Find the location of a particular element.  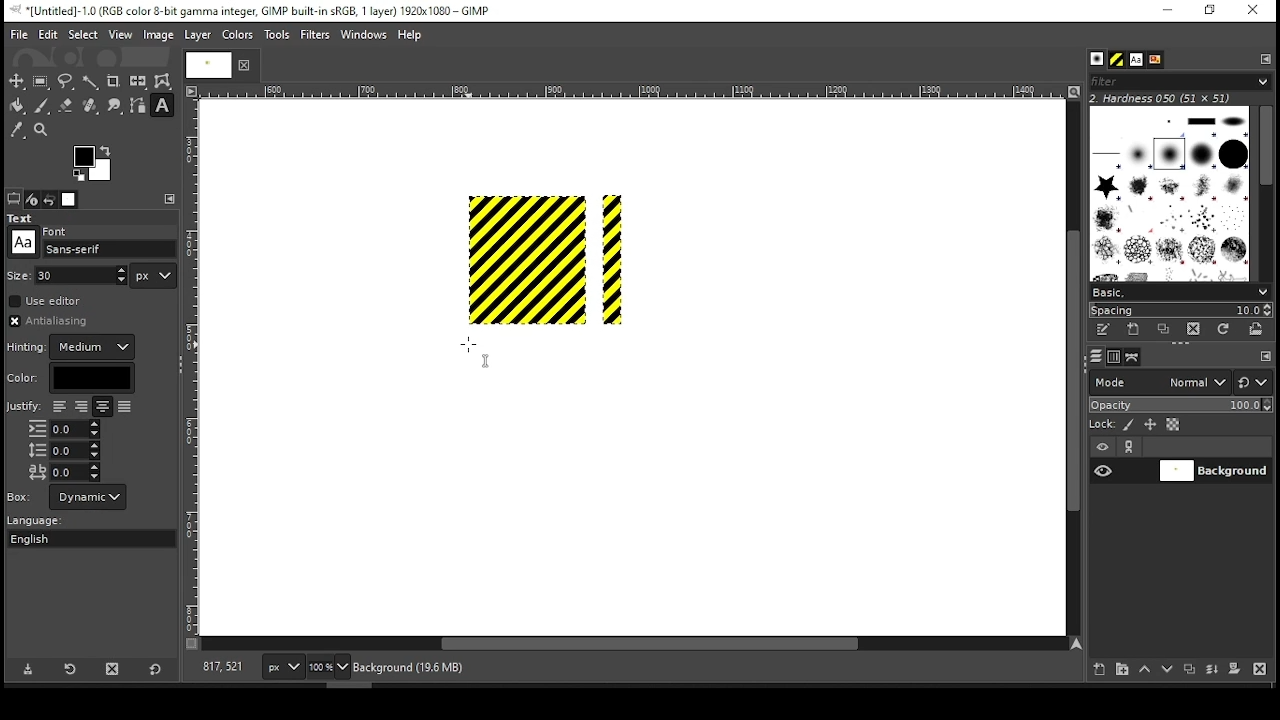

delete layer is located at coordinates (1259, 669).